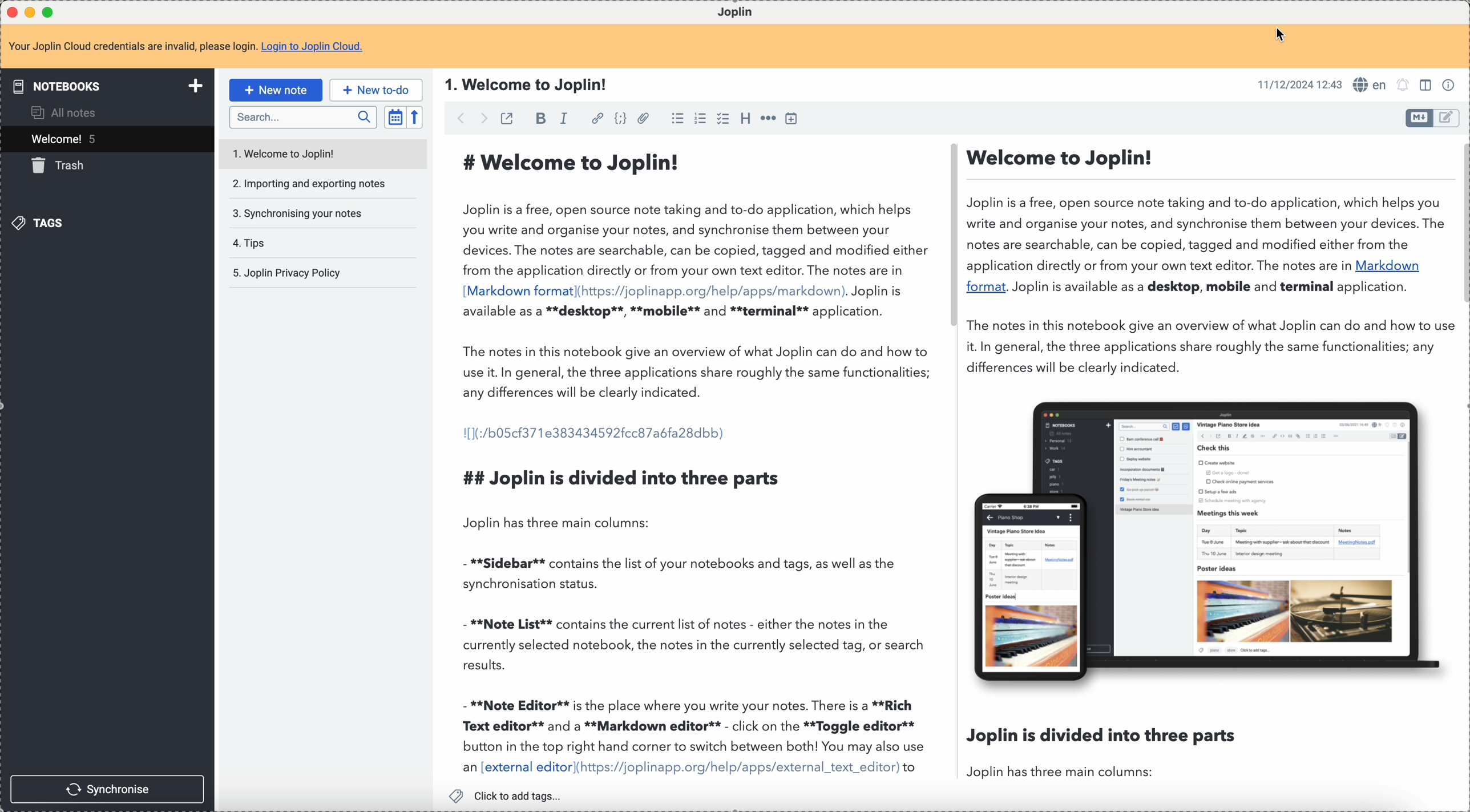 Image resolution: width=1470 pixels, height=812 pixels. What do you see at coordinates (949, 239) in the screenshot?
I see `scroll bar` at bounding box center [949, 239].